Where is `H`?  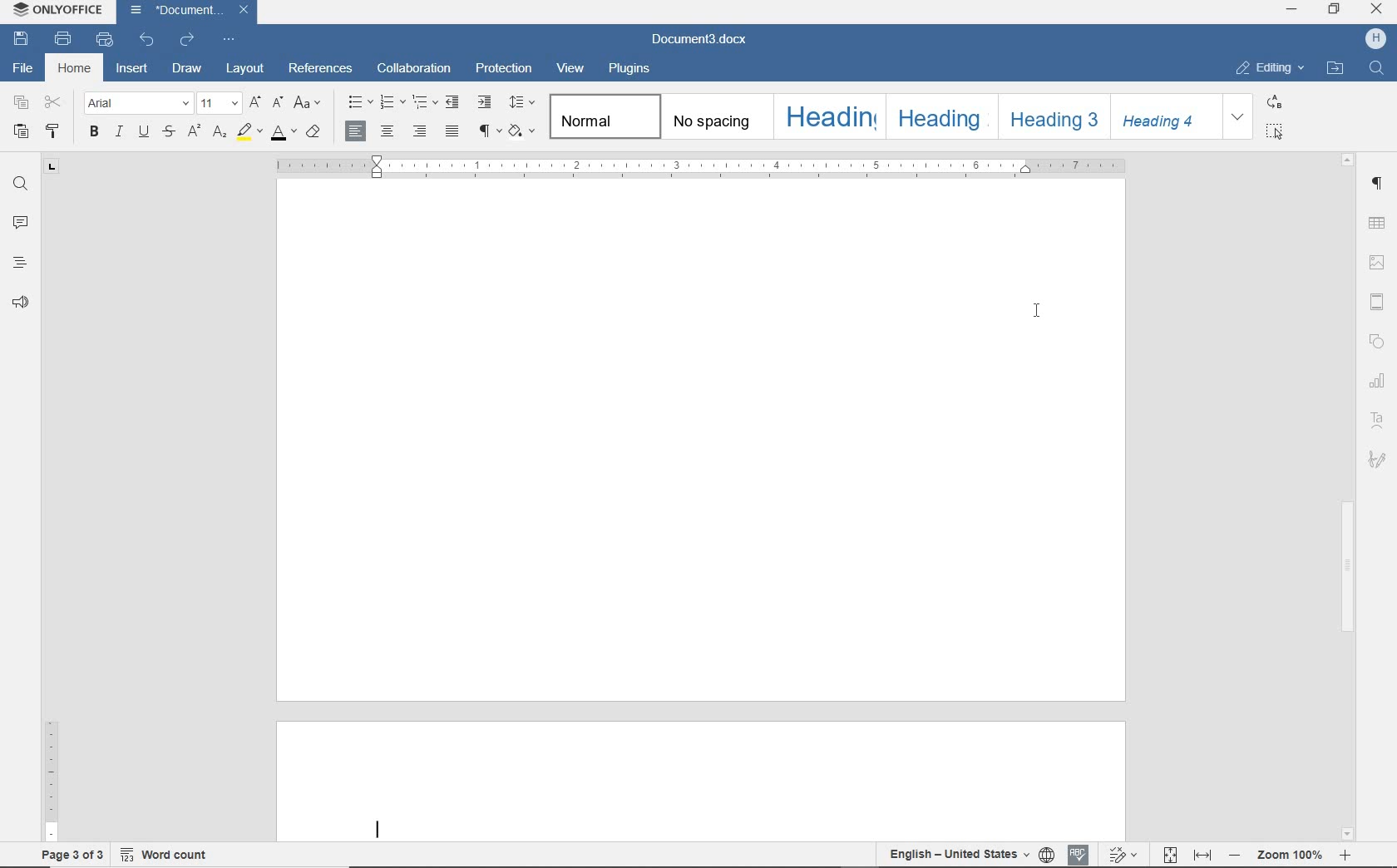 H is located at coordinates (1375, 40).